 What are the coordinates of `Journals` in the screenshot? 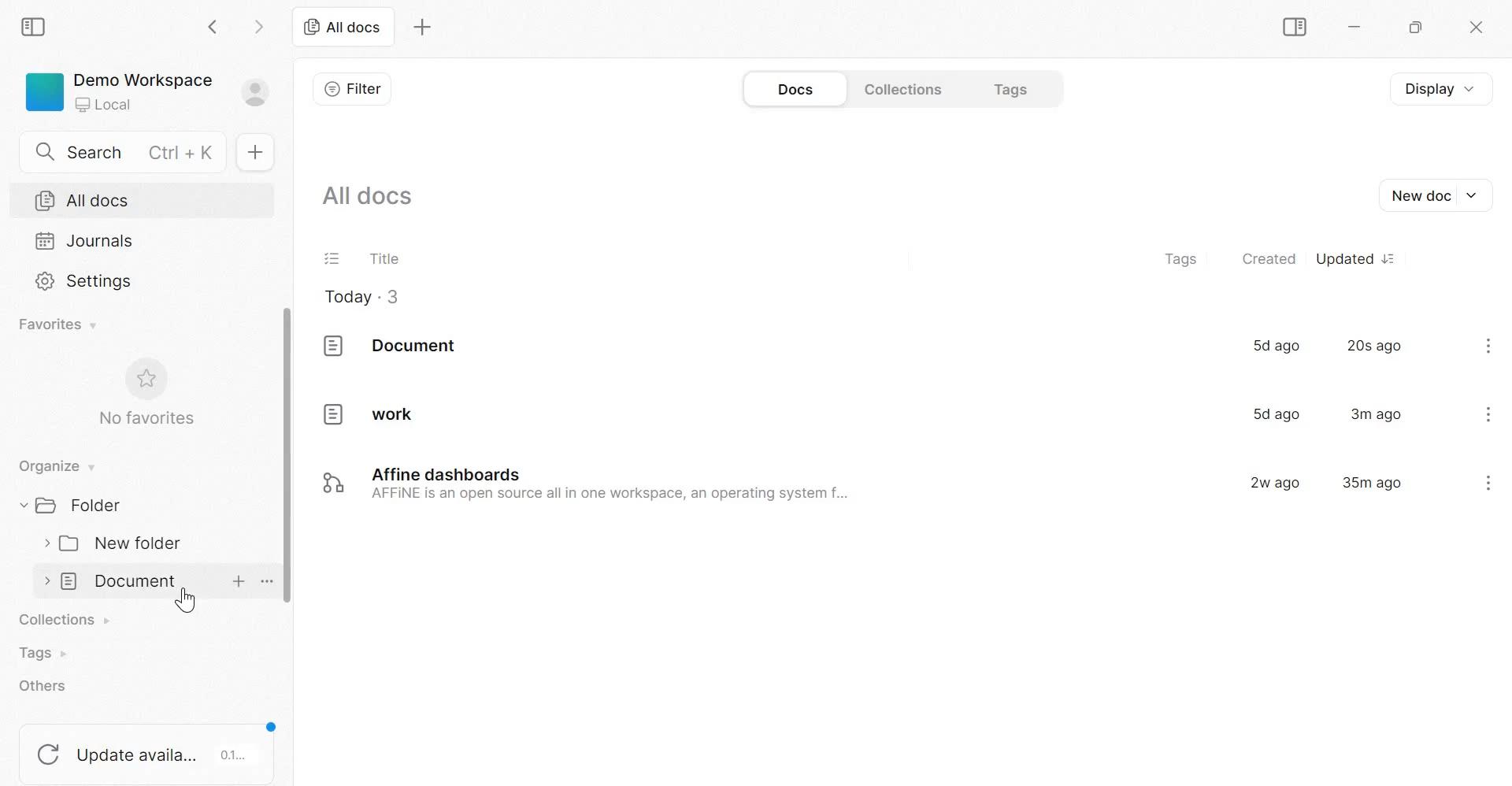 It's located at (86, 240).